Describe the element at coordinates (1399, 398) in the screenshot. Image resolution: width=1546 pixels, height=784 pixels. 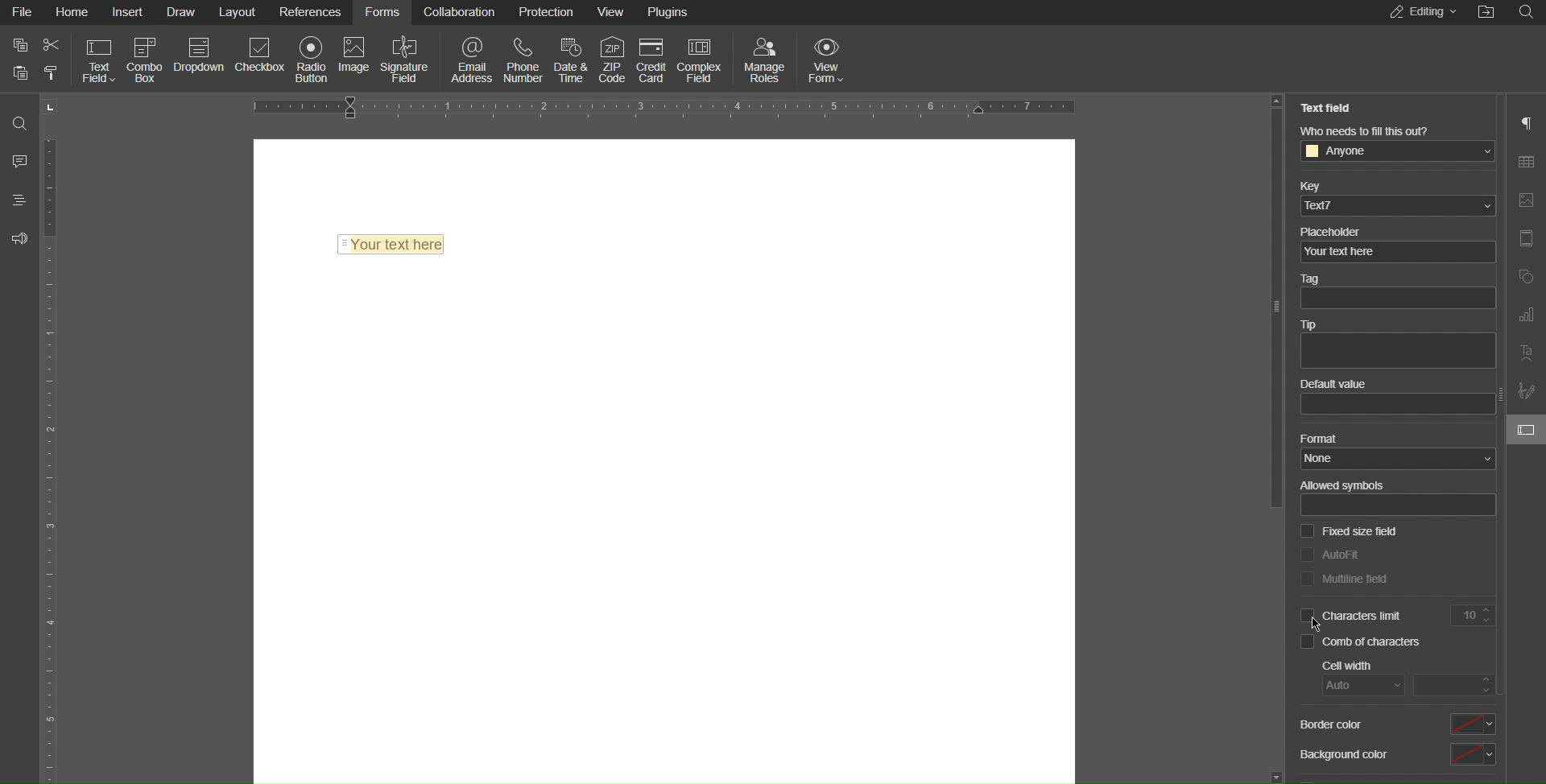
I see `Default value` at that location.